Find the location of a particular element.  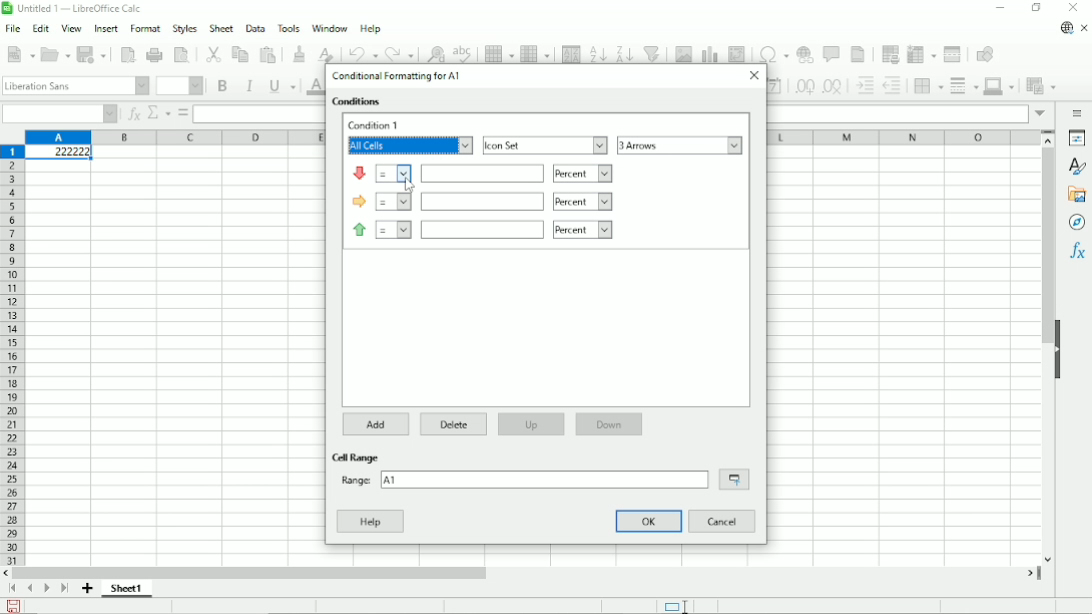

New is located at coordinates (21, 53).